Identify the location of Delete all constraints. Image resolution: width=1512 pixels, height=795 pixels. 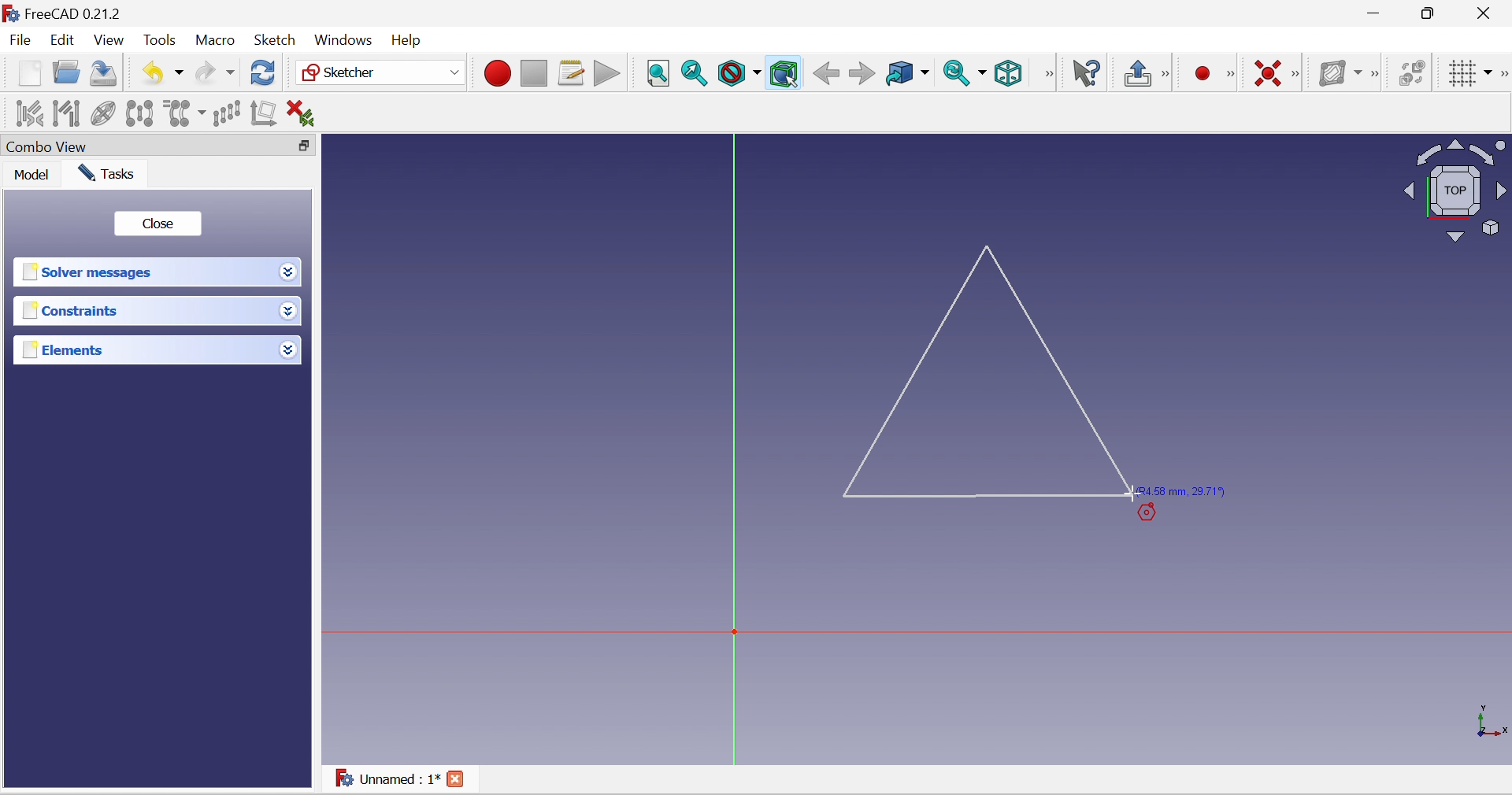
(301, 115).